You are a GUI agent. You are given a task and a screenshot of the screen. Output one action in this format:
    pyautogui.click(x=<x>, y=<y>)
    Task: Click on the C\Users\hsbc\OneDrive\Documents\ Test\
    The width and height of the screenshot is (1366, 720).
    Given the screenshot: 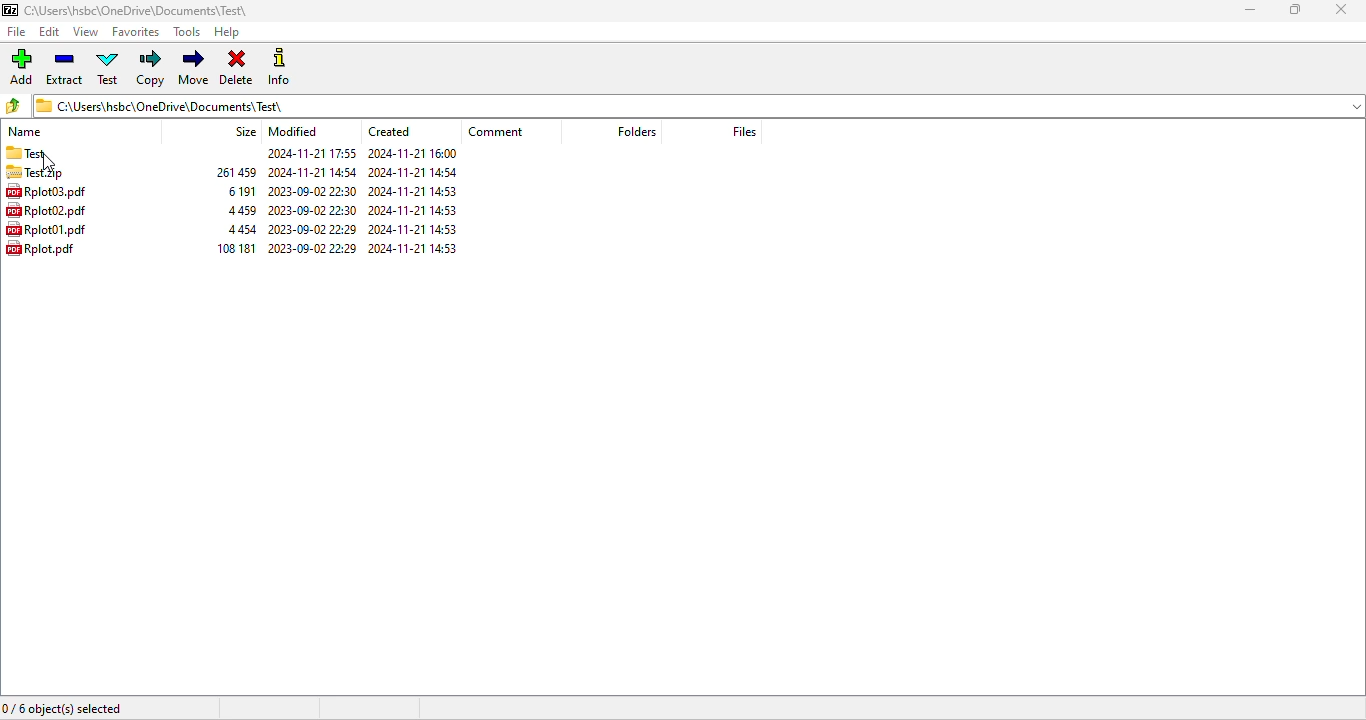 What is the action you would take?
    pyautogui.click(x=700, y=105)
    